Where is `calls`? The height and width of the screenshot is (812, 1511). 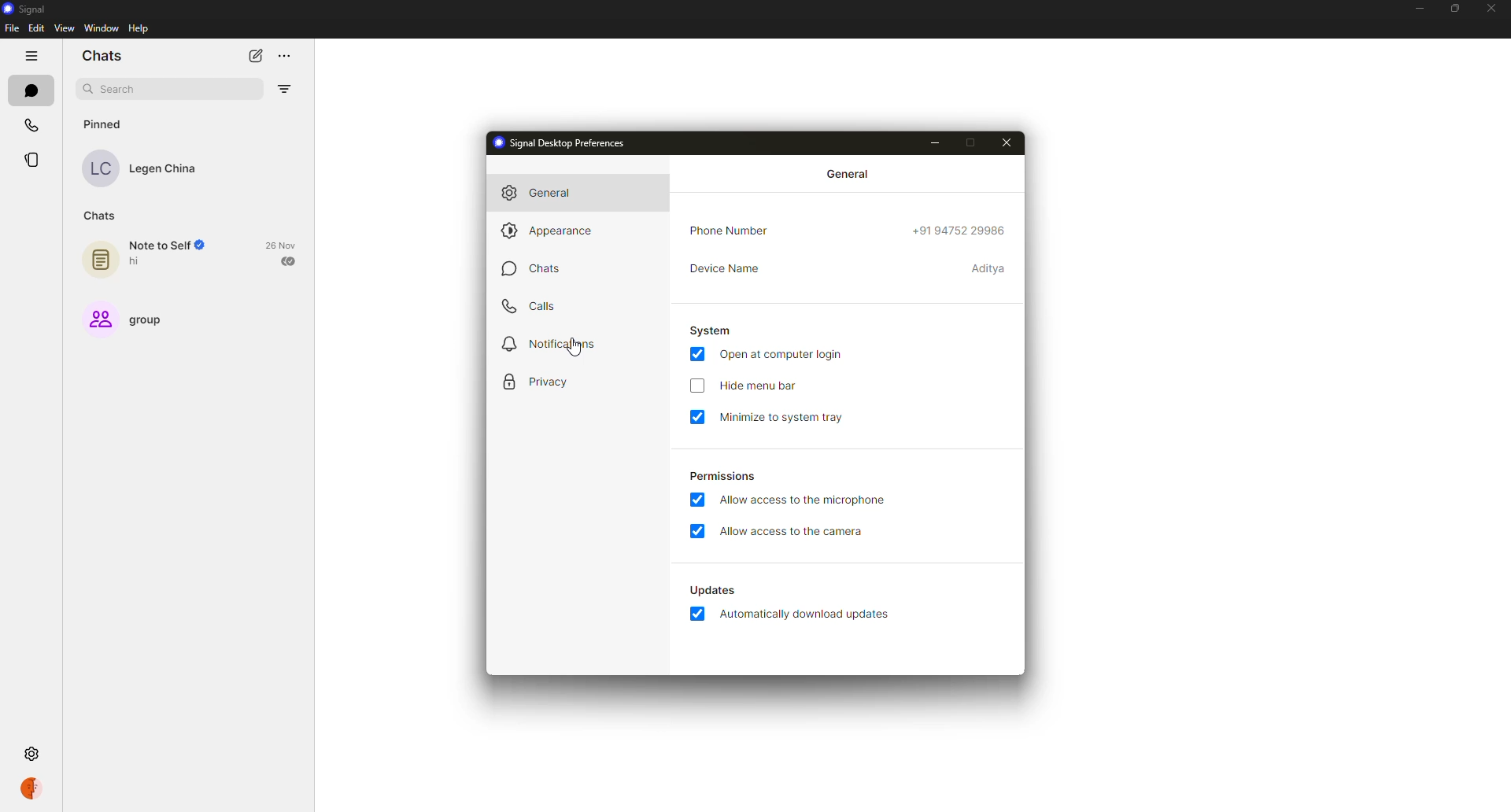 calls is located at coordinates (532, 304).